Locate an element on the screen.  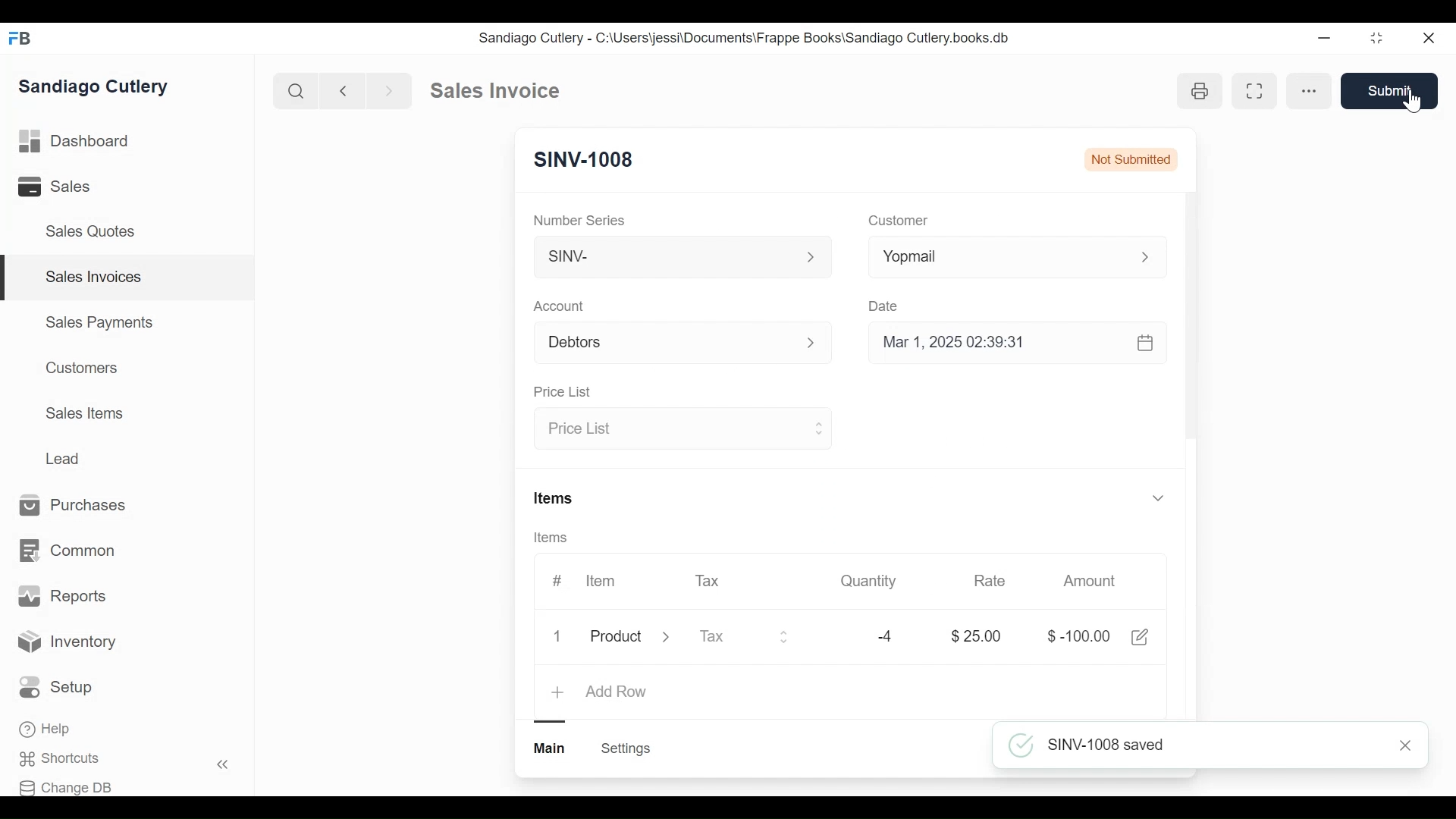
Settings is located at coordinates (628, 748).